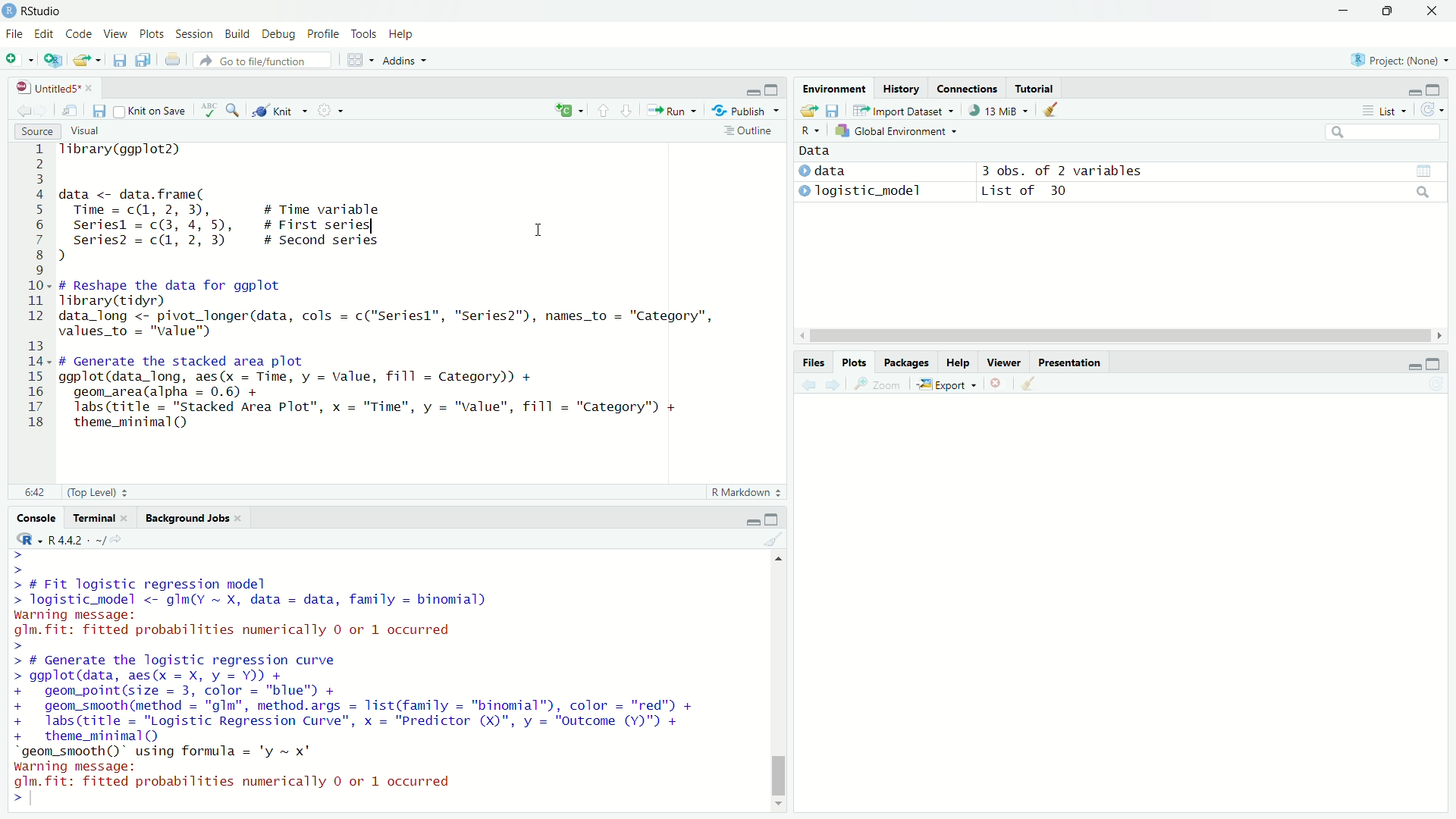  Describe the element at coordinates (1354, 59) in the screenshot. I see `R` at that location.